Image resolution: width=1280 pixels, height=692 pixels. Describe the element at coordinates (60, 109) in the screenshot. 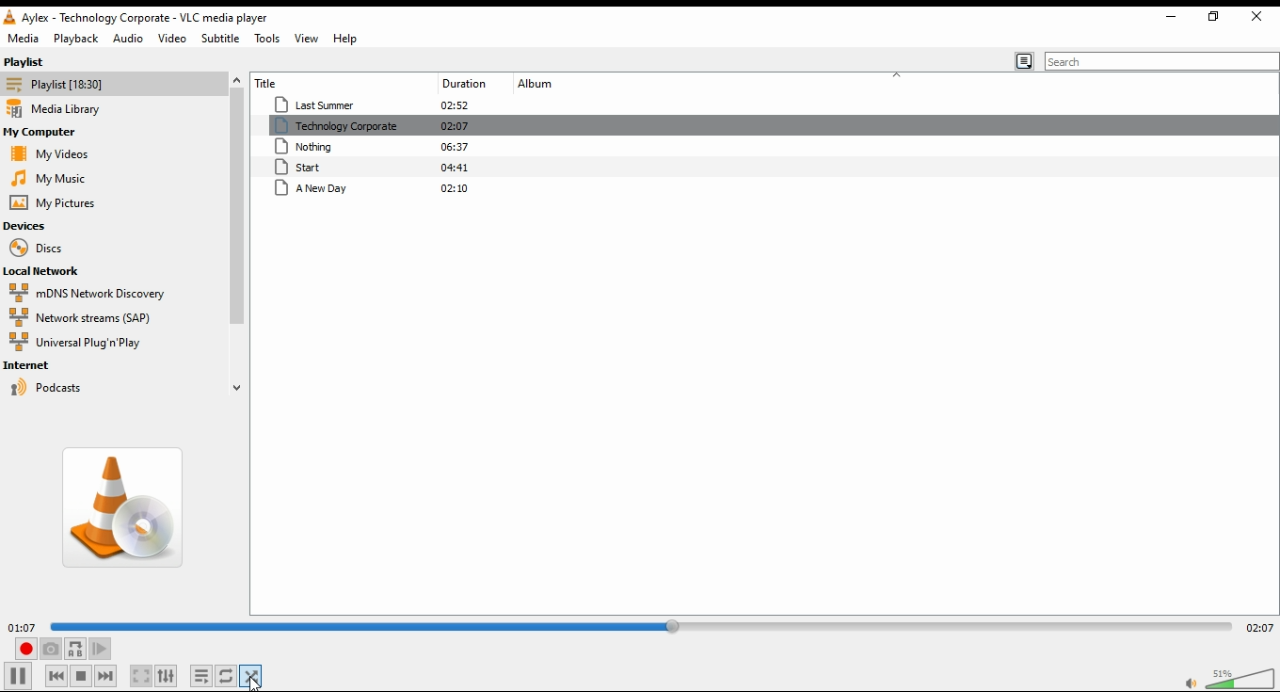

I see `media library` at that location.